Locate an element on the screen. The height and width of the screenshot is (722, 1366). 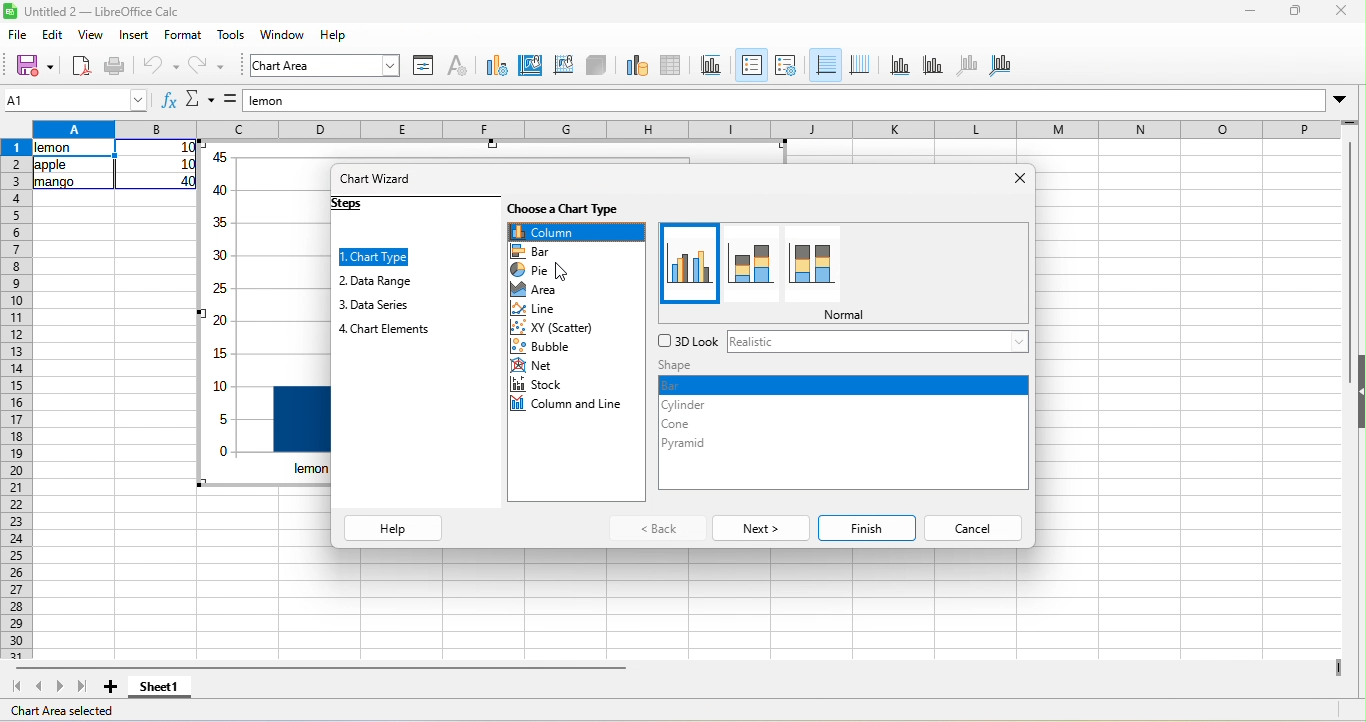
chart area selected is located at coordinates (66, 712).